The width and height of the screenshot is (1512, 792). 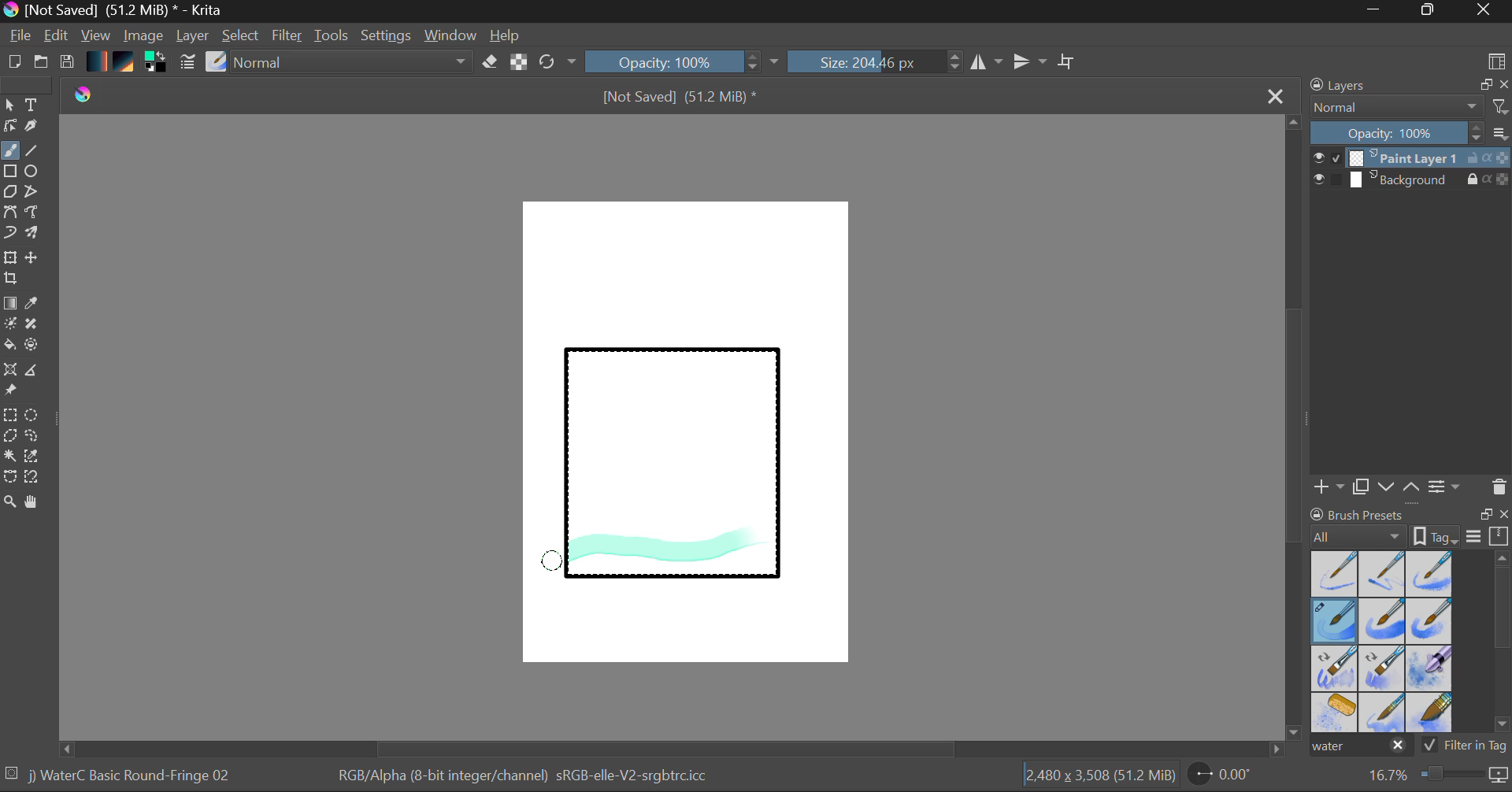 I want to click on Water C - Grain Tilt, so click(x=1336, y=668).